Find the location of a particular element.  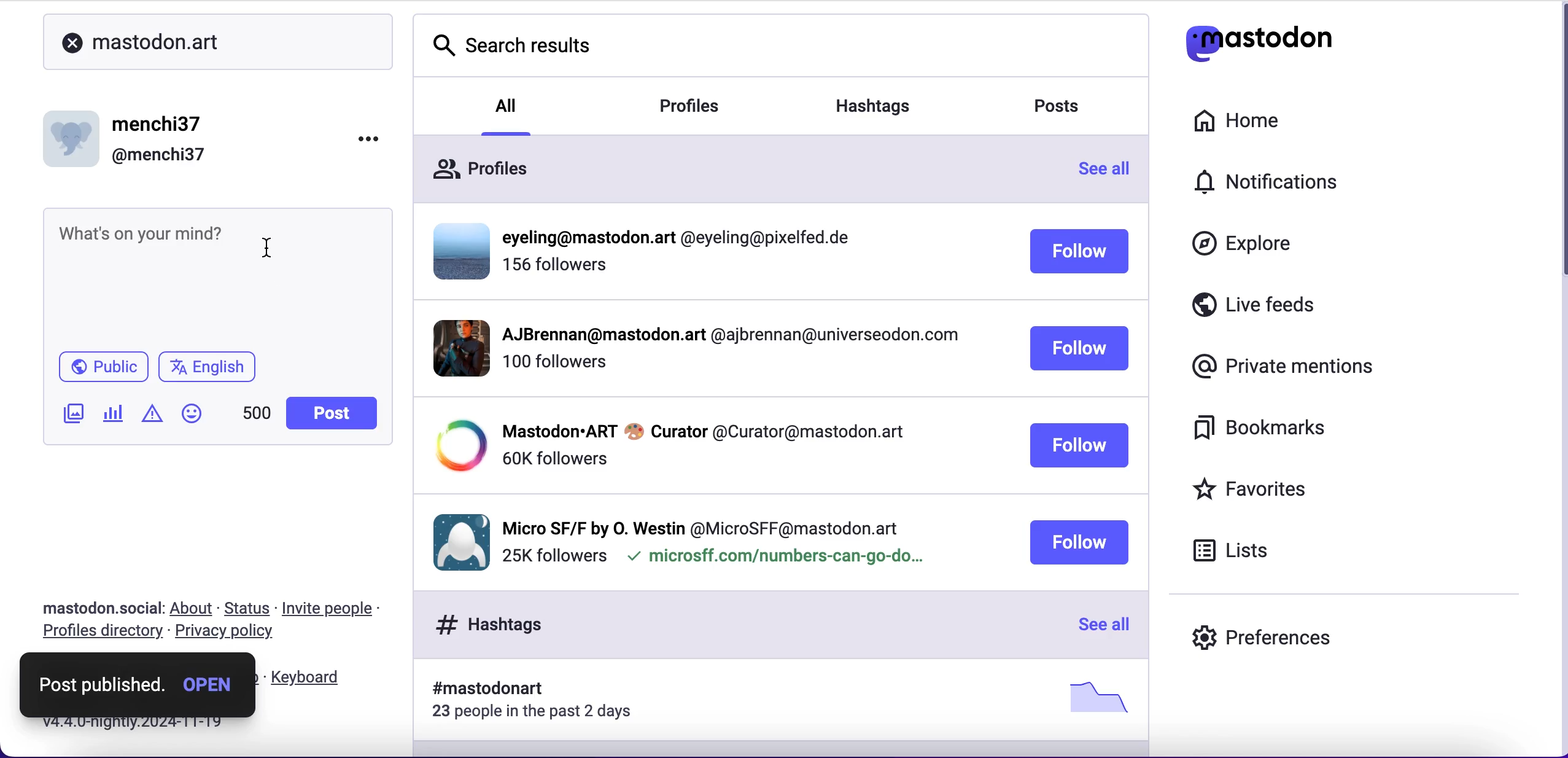

followers is located at coordinates (554, 459).